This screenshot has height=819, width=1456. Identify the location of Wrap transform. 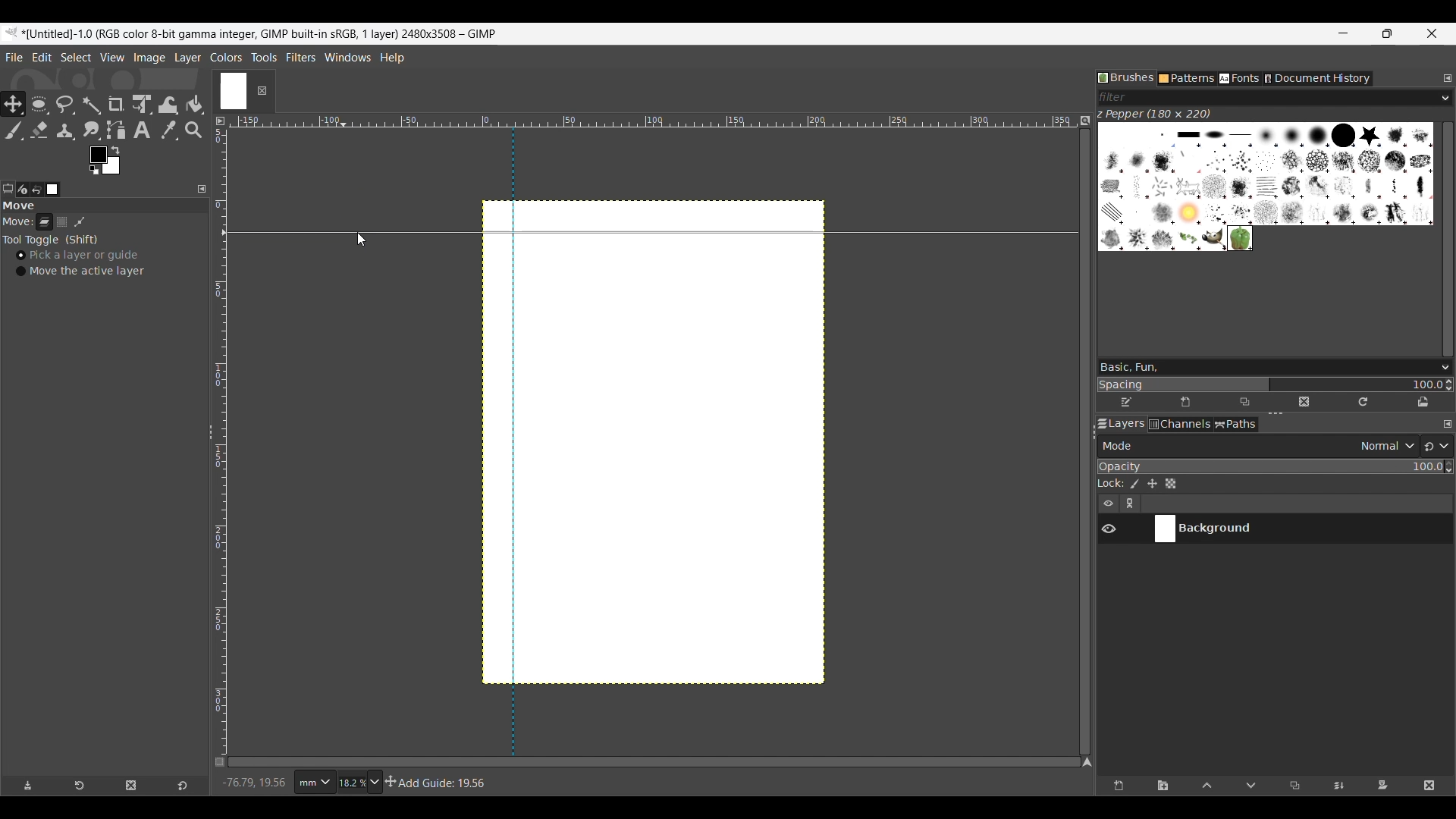
(168, 105).